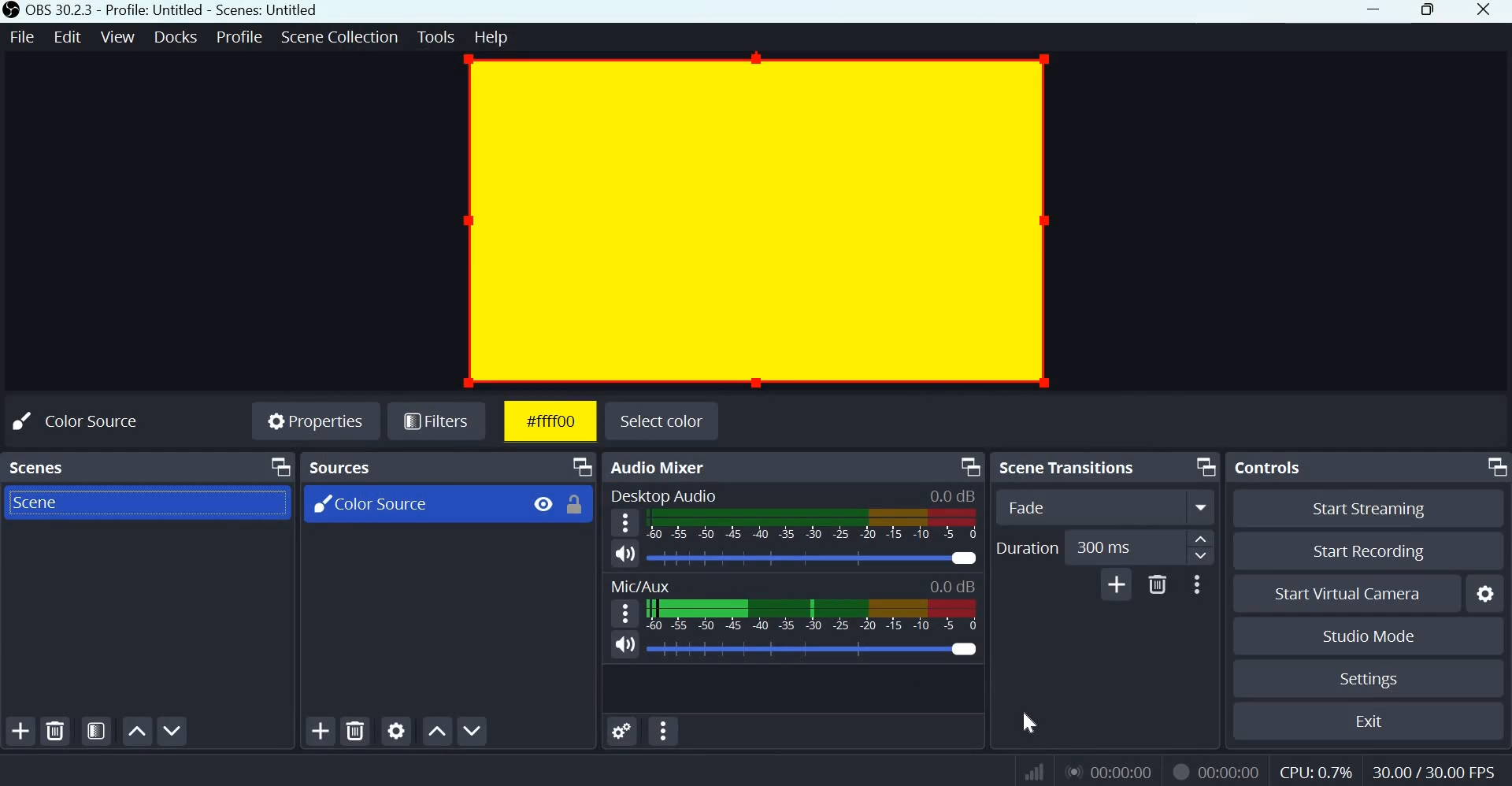 This screenshot has height=786, width=1512. Describe the element at coordinates (625, 553) in the screenshot. I see `Speaker icon` at that location.